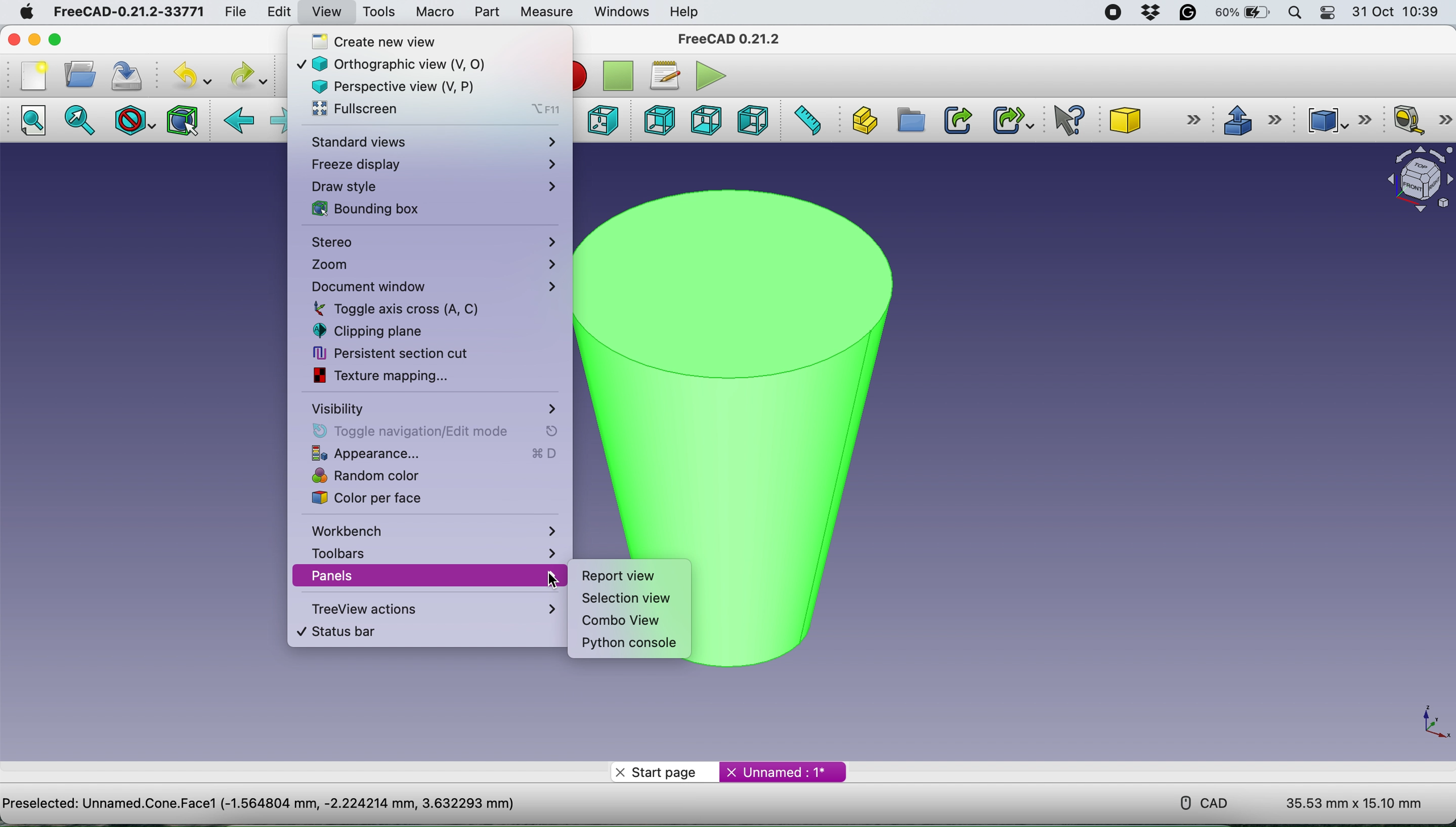 This screenshot has height=827, width=1456. What do you see at coordinates (685, 11) in the screenshot?
I see `help` at bounding box center [685, 11].